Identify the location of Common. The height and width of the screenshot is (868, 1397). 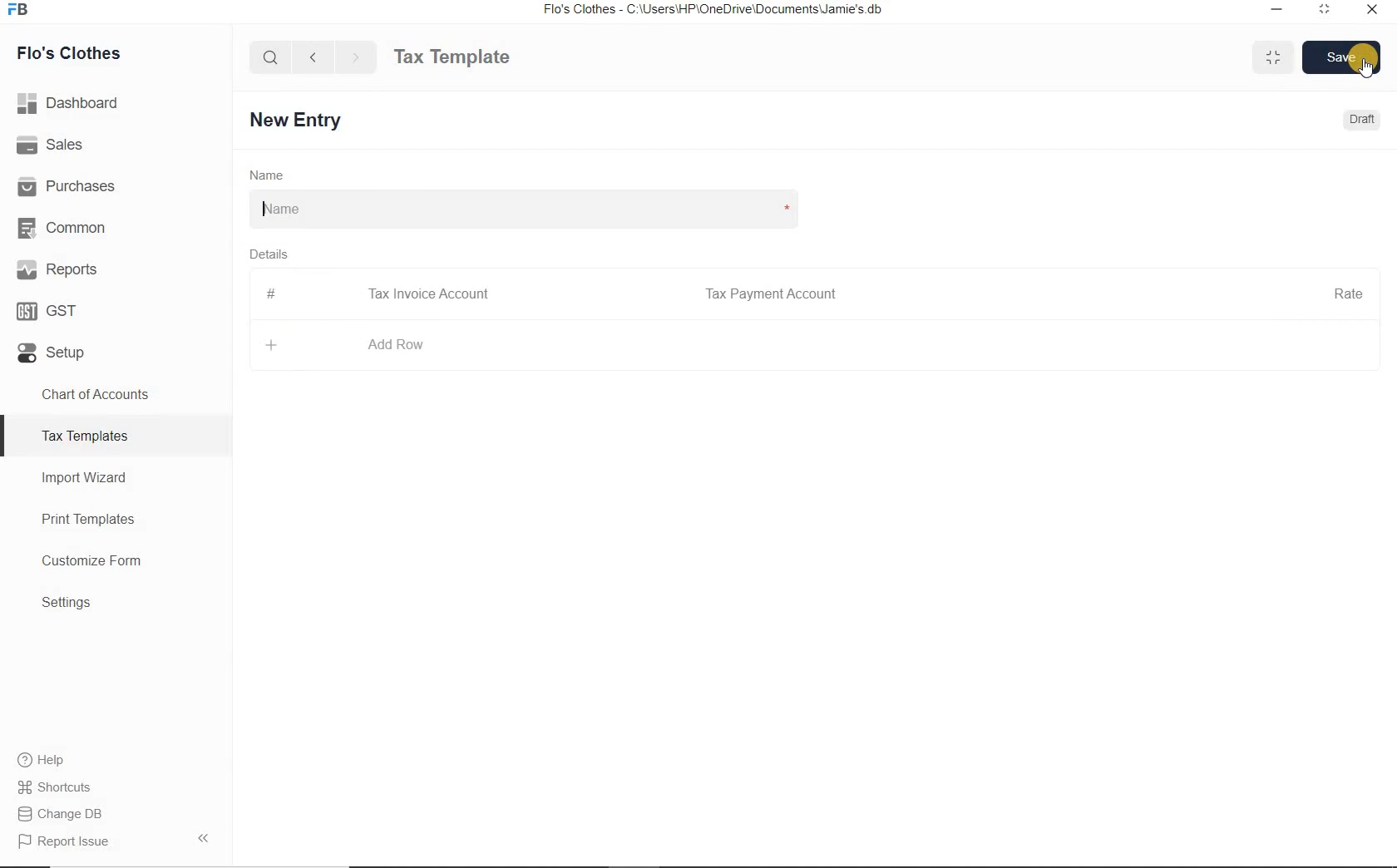
(116, 225).